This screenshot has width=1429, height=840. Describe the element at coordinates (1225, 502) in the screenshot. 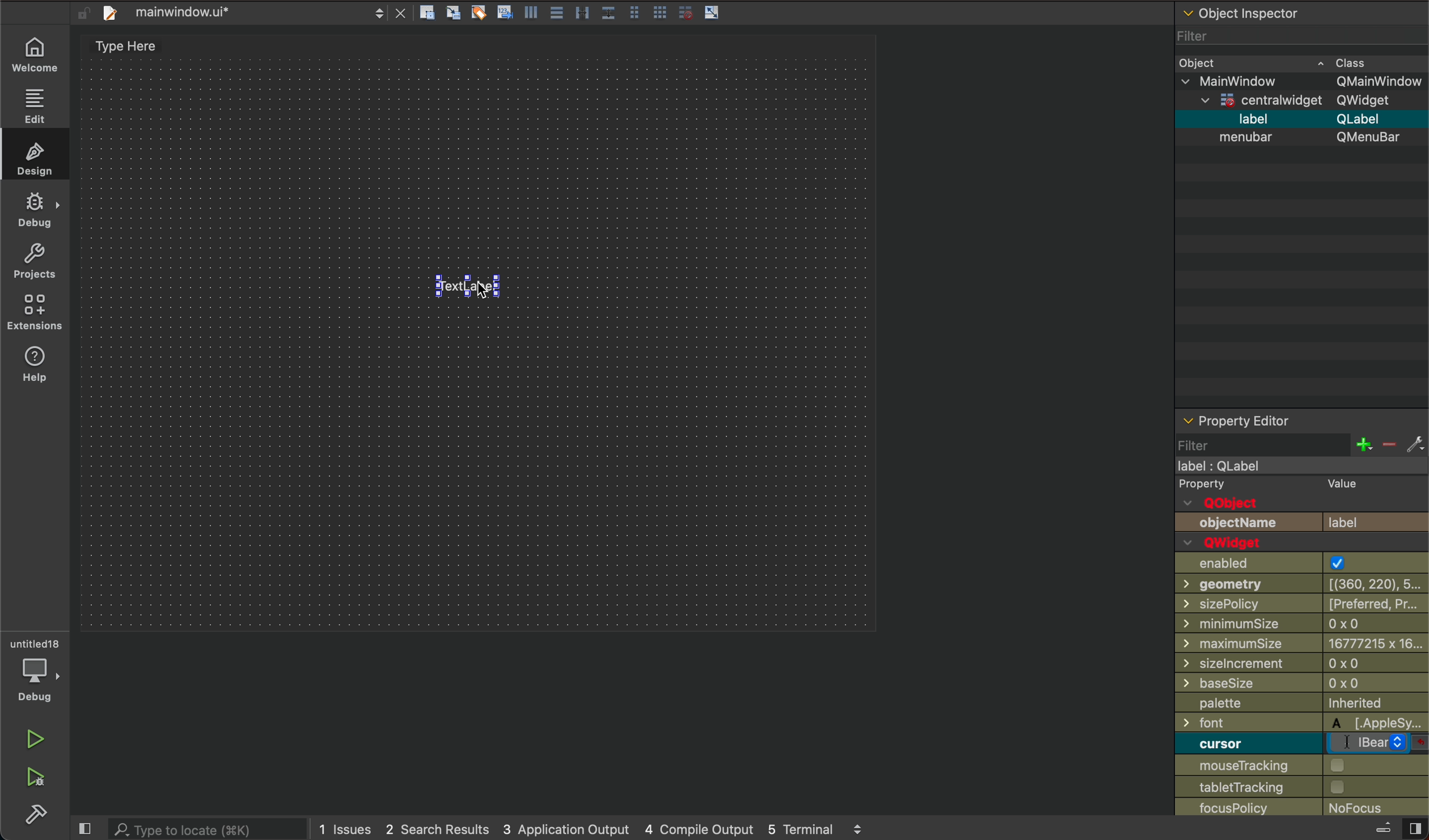

I see `QObject` at that location.